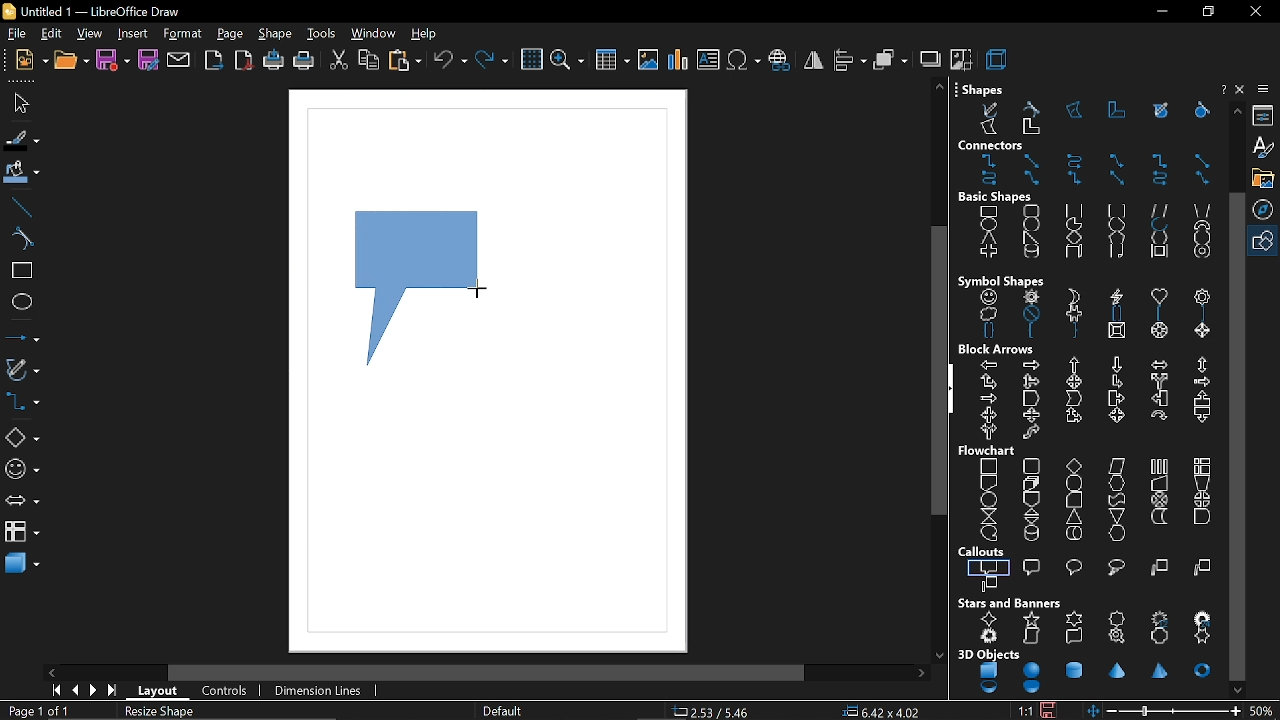  Describe the element at coordinates (1158, 517) in the screenshot. I see `stored data` at that location.